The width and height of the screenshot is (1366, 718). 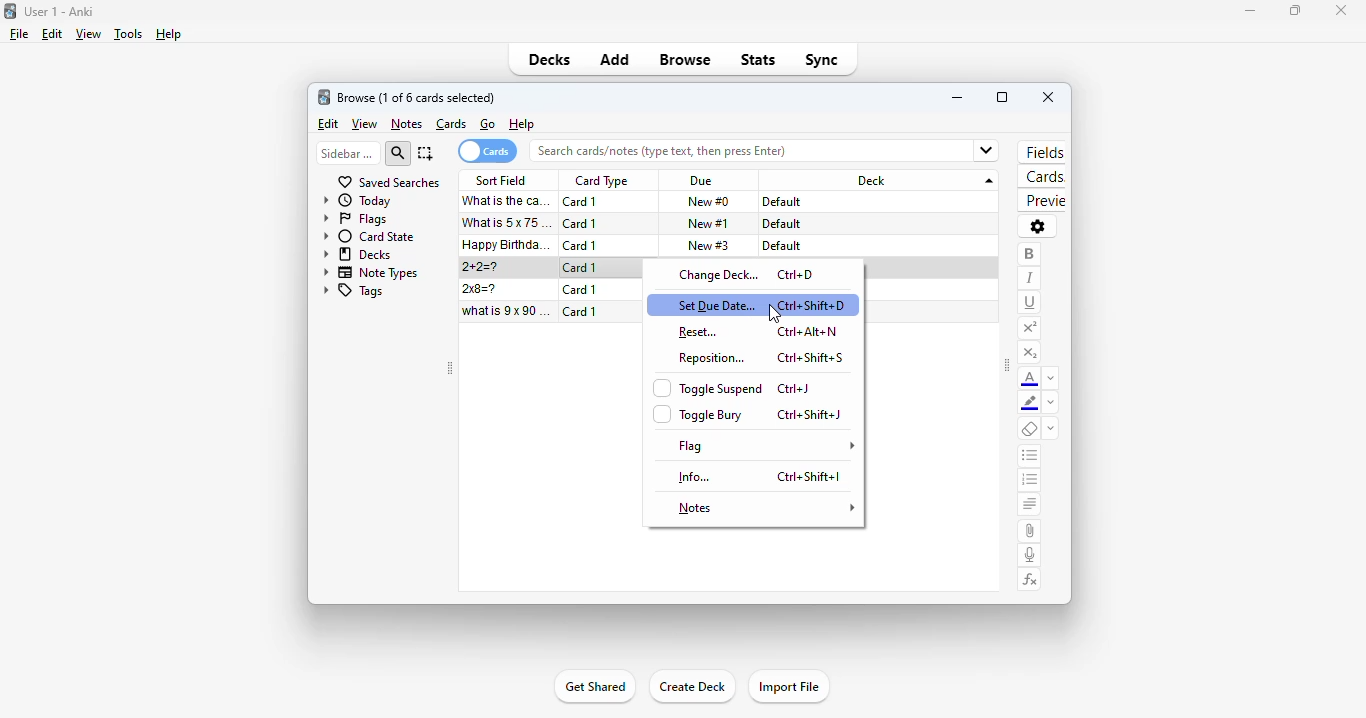 I want to click on card 1, so click(x=581, y=245).